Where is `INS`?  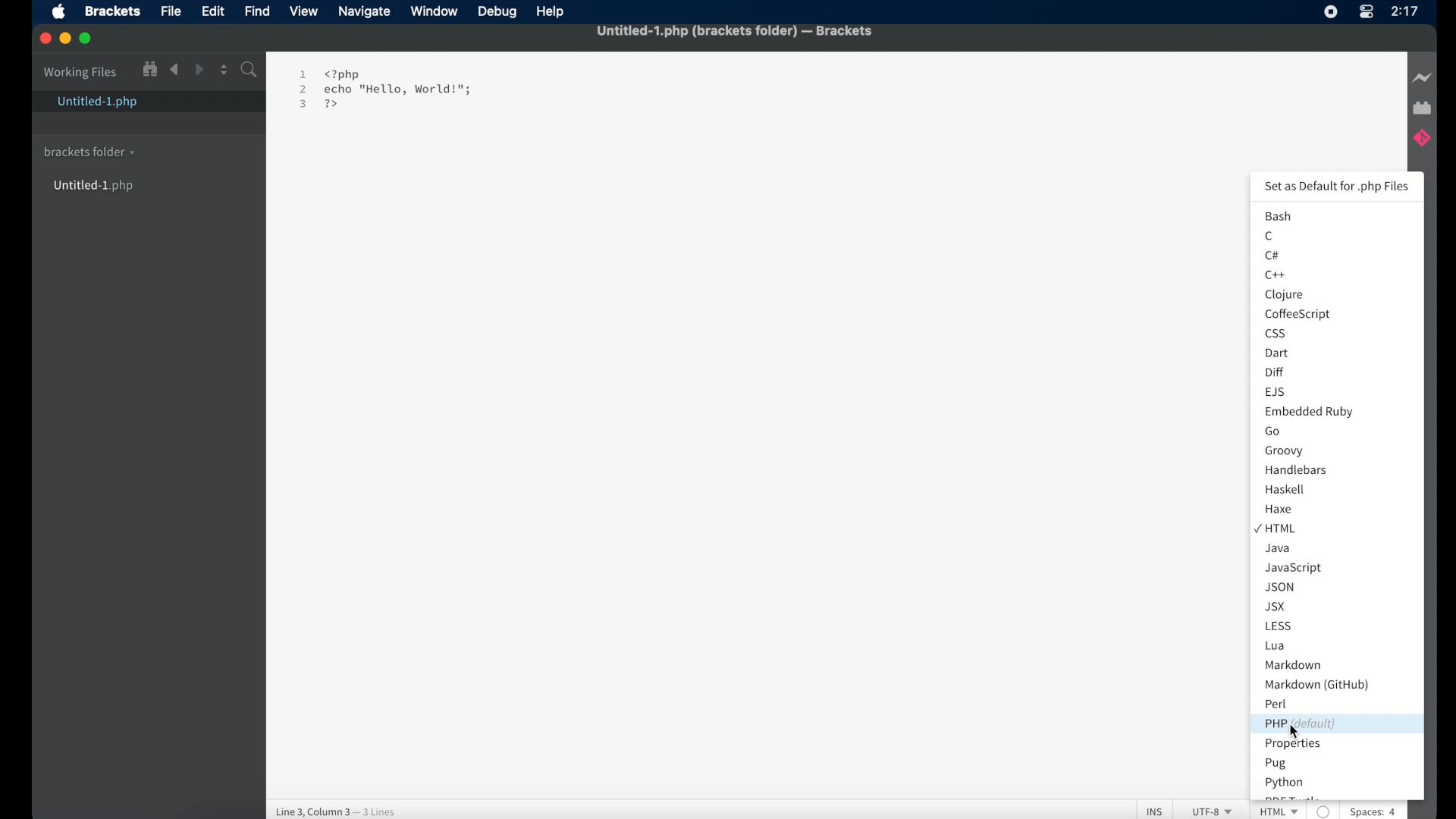 INS is located at coordinates (1155, 811).